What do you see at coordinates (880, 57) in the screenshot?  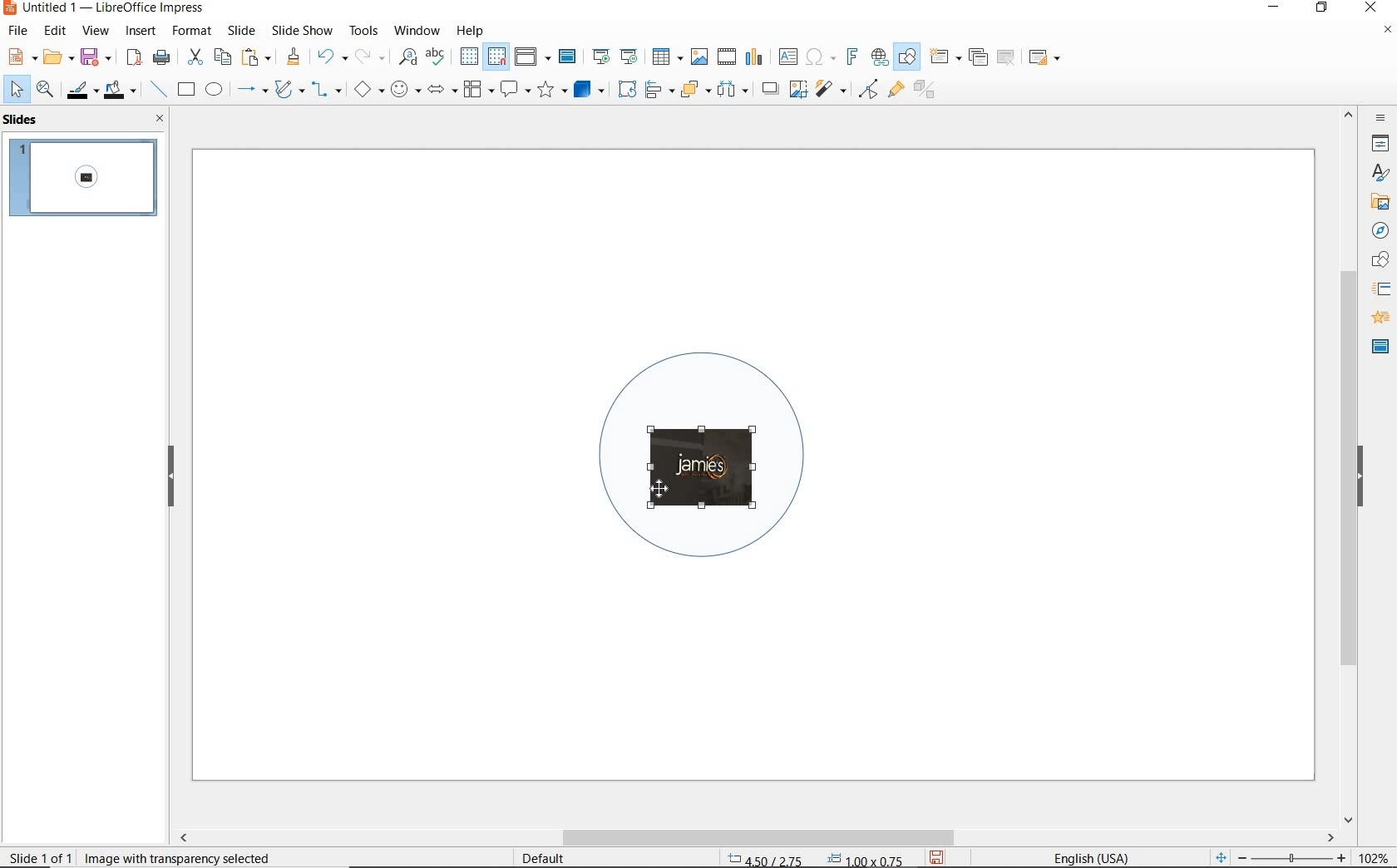 I see `insert hyperlink` at bounding box center [880, 57].